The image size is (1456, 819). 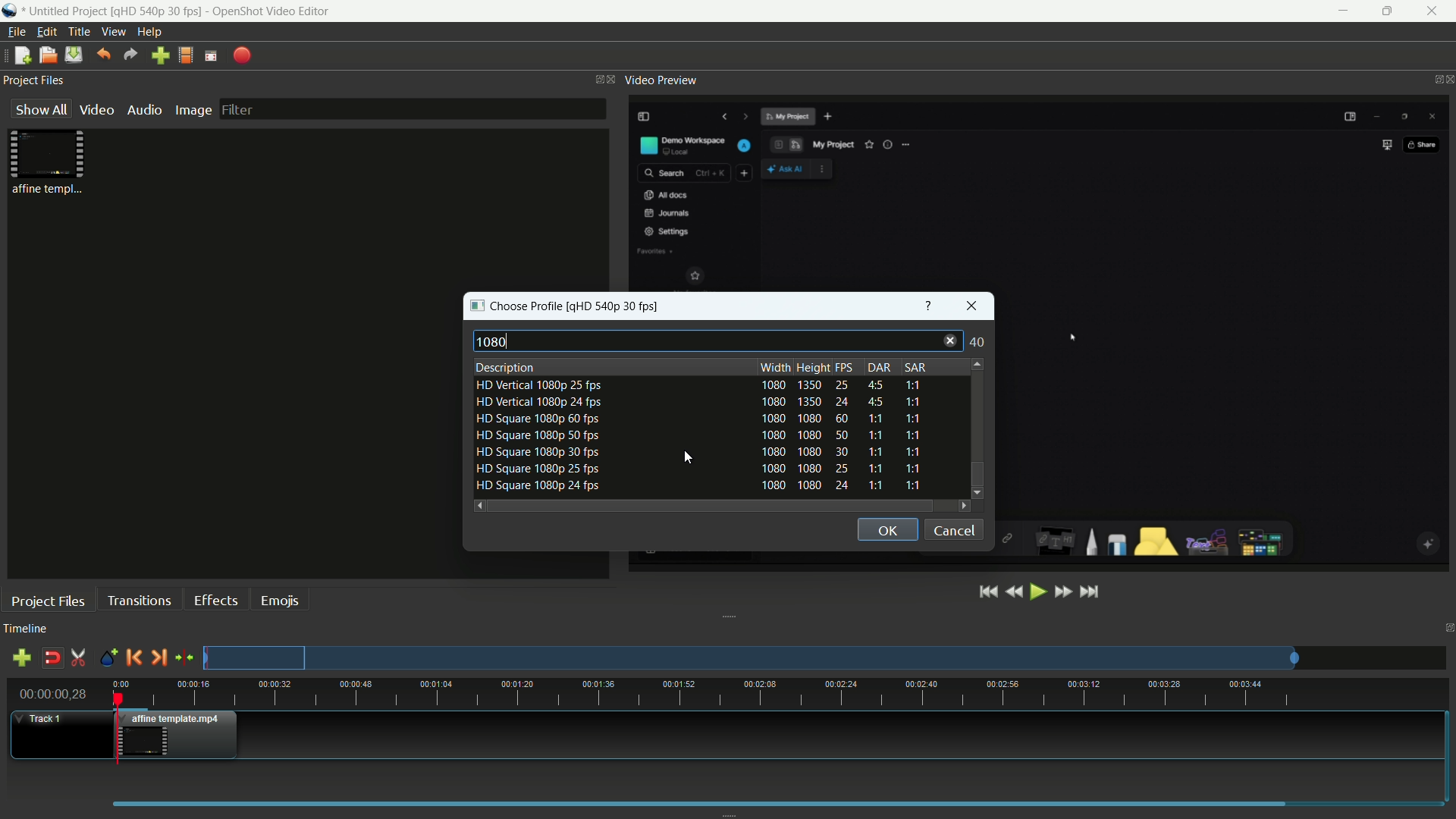 What do you see at coordinates (695, 487) in the screenshot?
I see `profile-7` at bounding box center [695, 487].